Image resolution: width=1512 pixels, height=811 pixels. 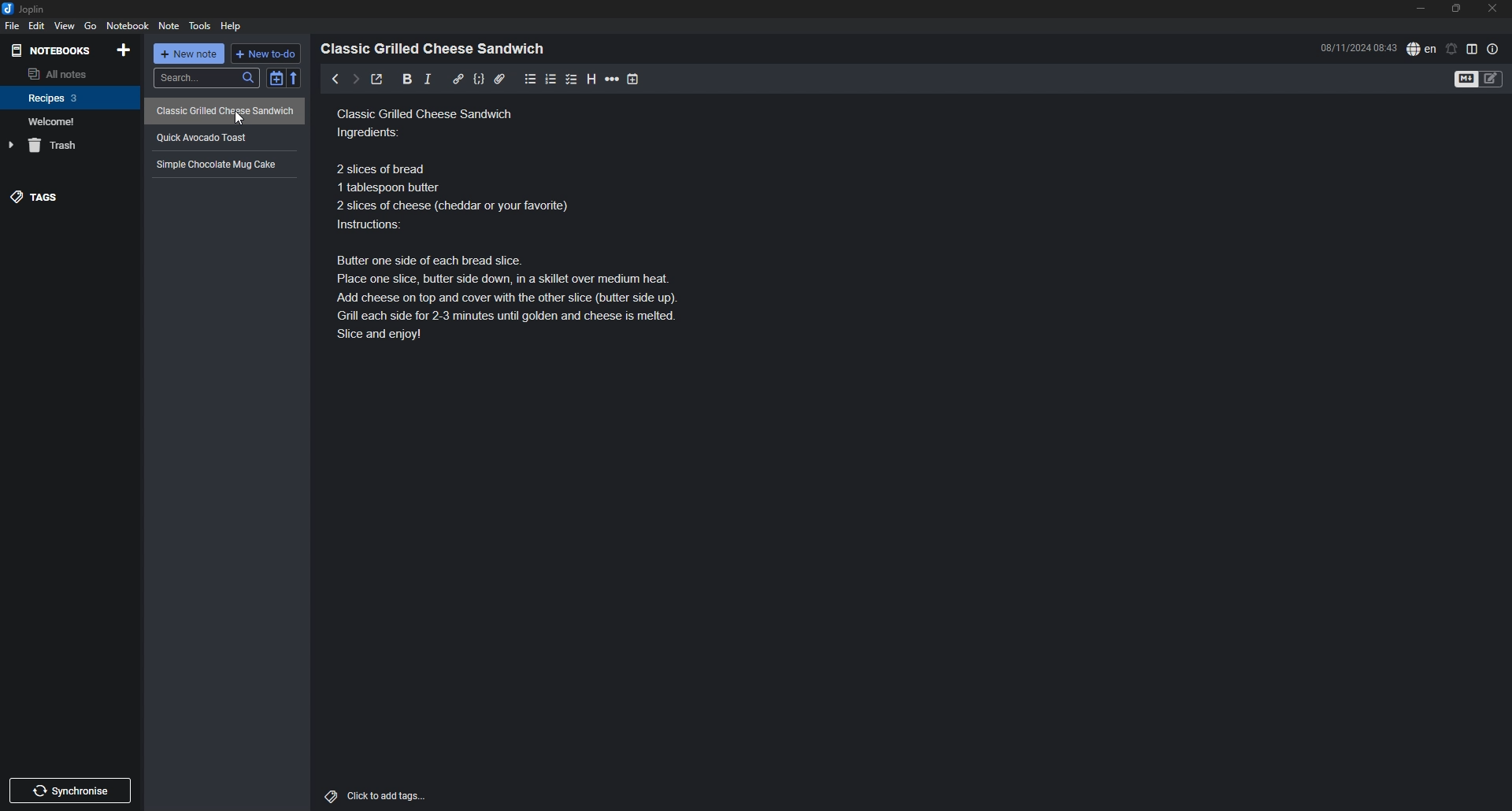 What do you see at coordinates (572, 79) in the screenshot?
I see `checkbox` at bounding box center [572, 79].